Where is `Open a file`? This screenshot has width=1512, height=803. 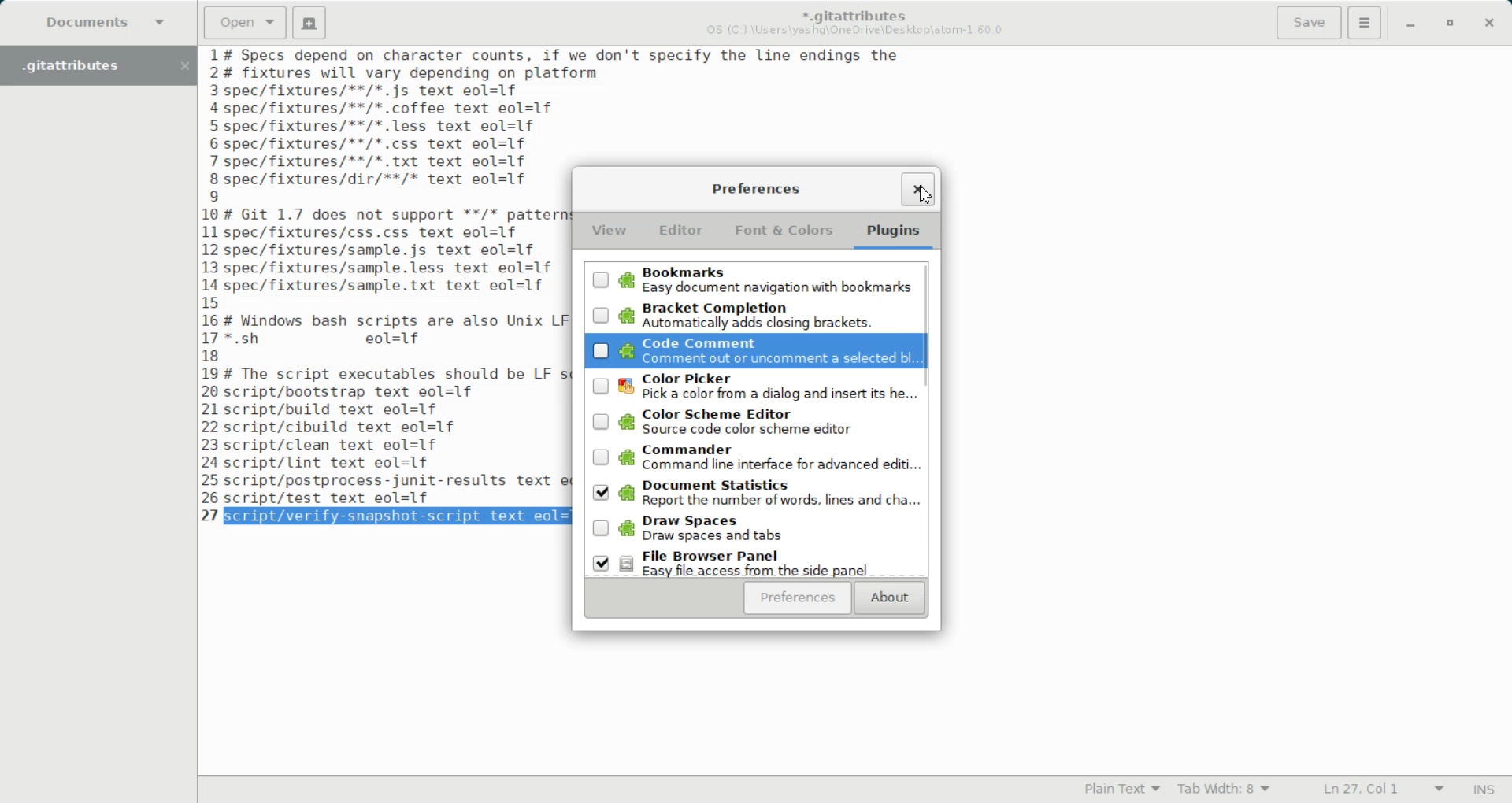
Open a file is located at coordinates (245, 21).